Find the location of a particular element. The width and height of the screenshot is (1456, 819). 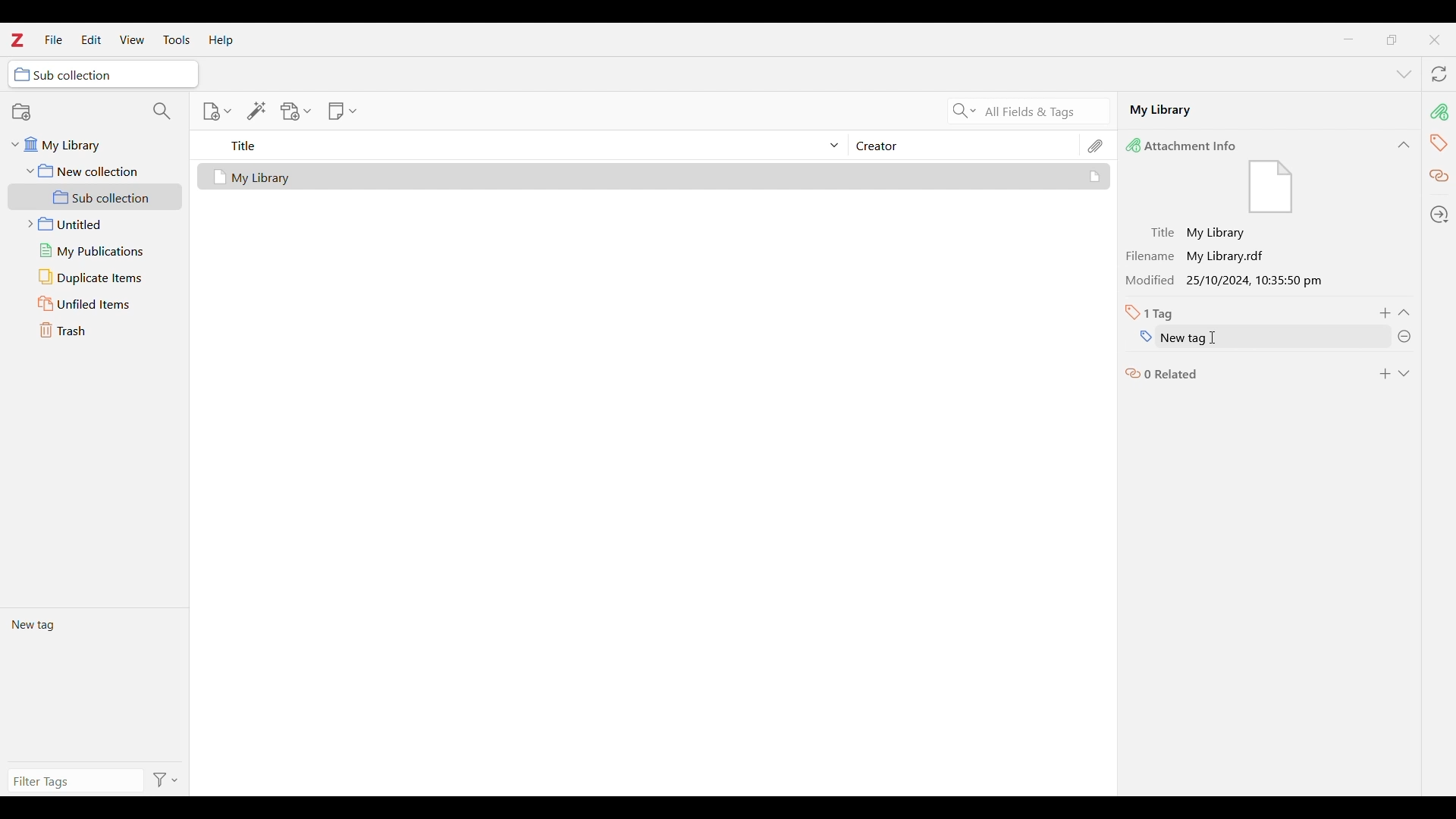

Filter collections is located at coordinates (162, 111).